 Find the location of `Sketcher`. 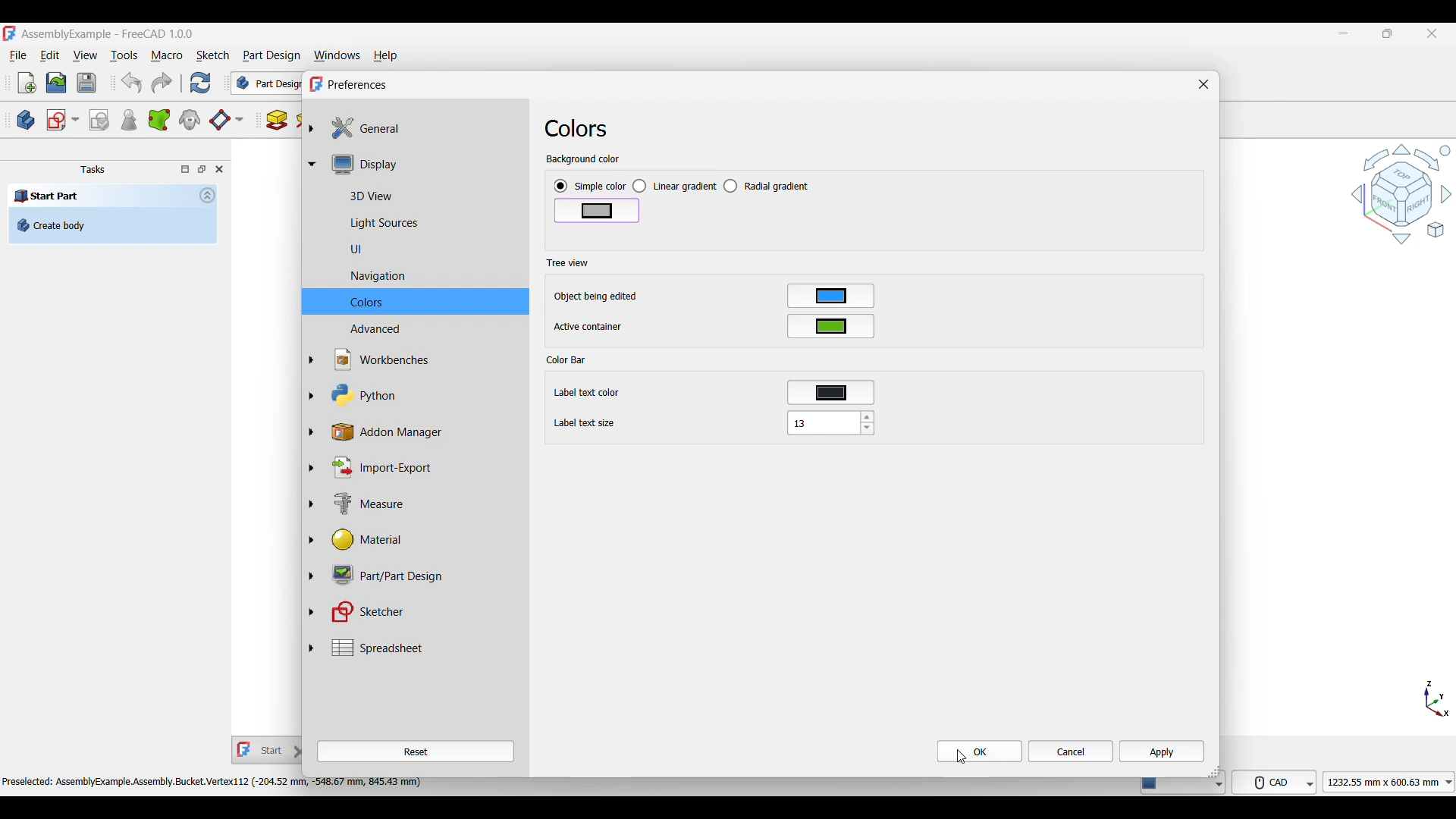

Sketcher is located at coordinates (424, 612).